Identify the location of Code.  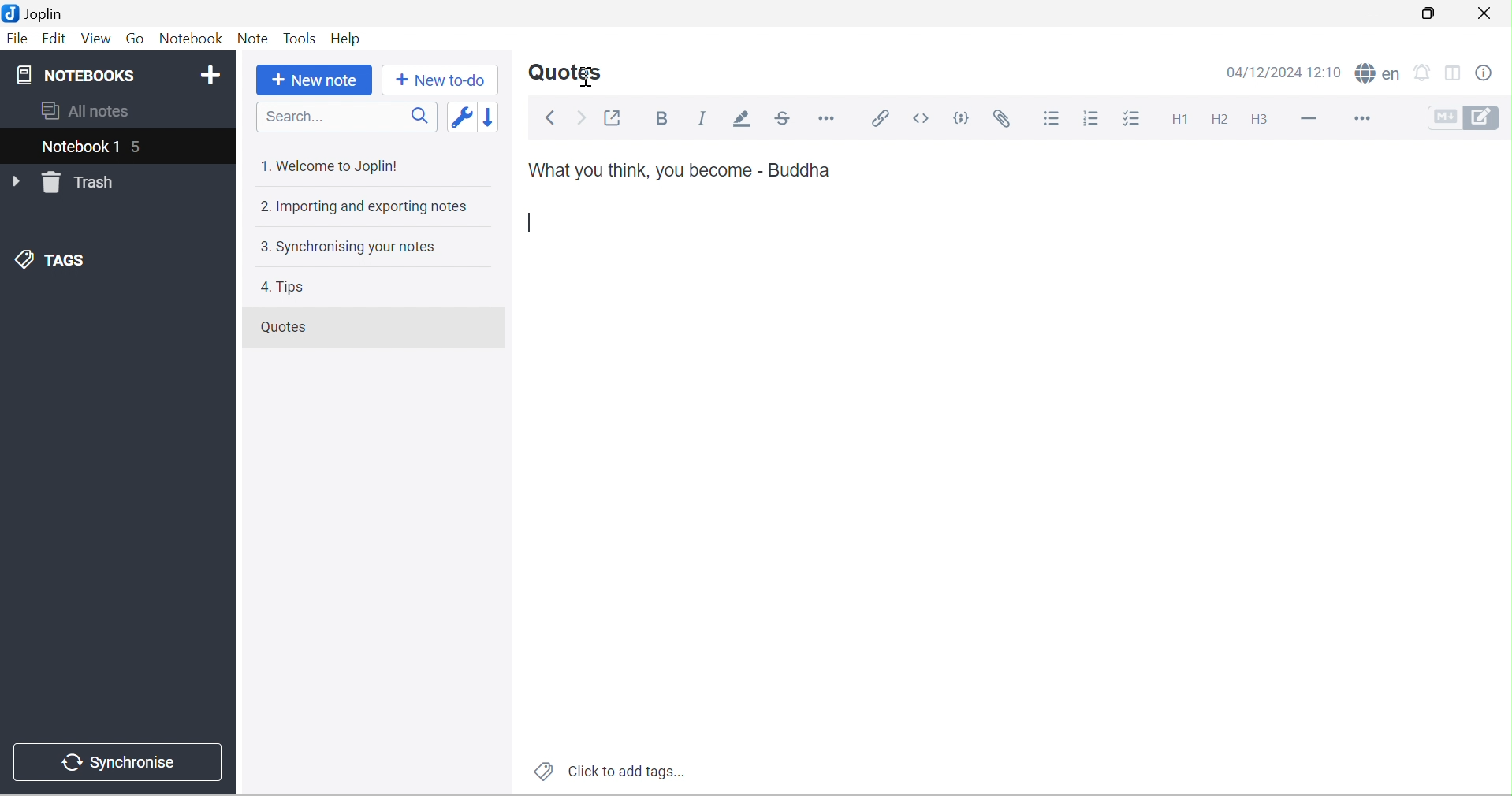
(962, 115).